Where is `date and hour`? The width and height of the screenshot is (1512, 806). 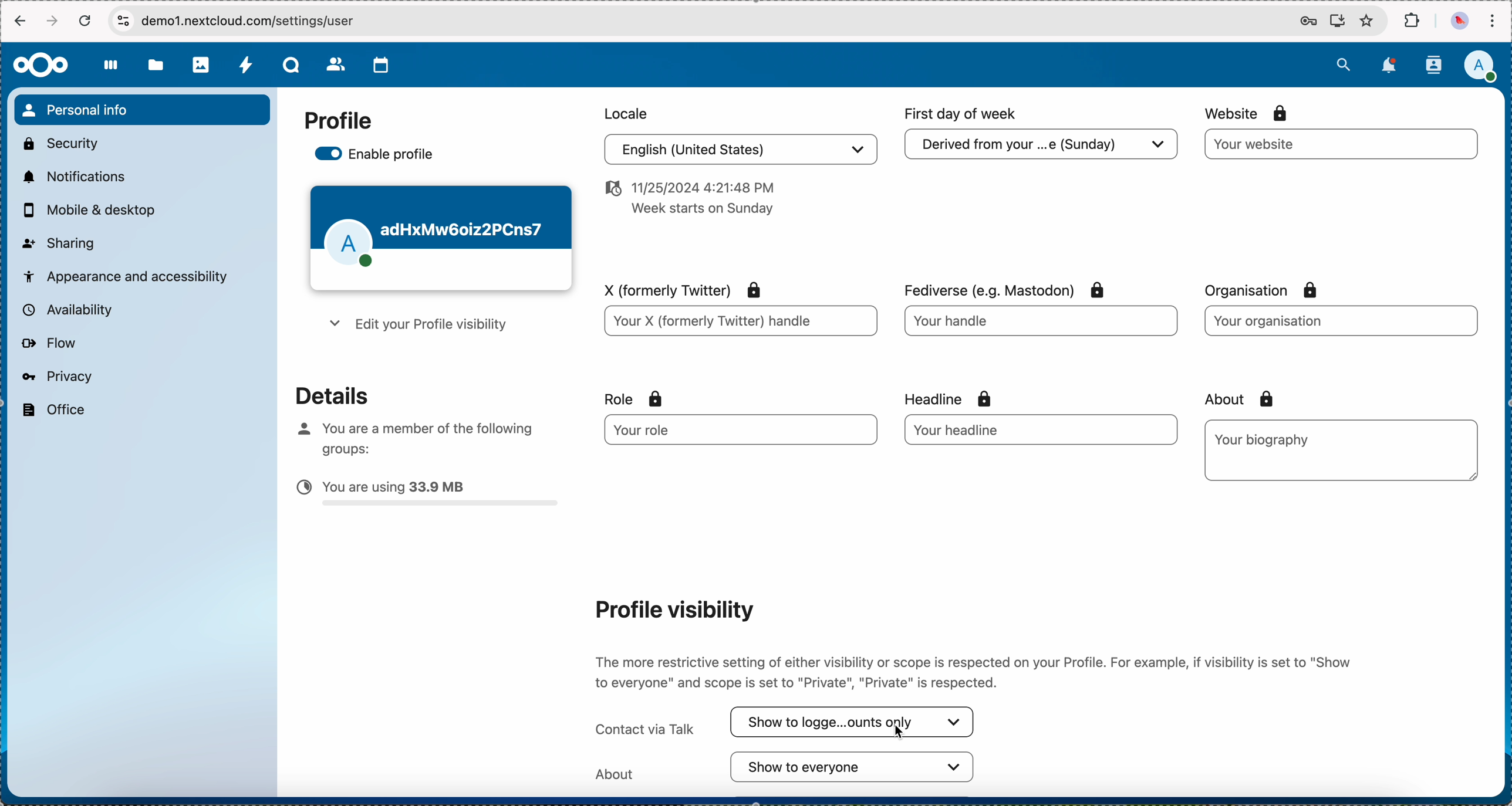 date and hour is located at coordinates (687, 202).